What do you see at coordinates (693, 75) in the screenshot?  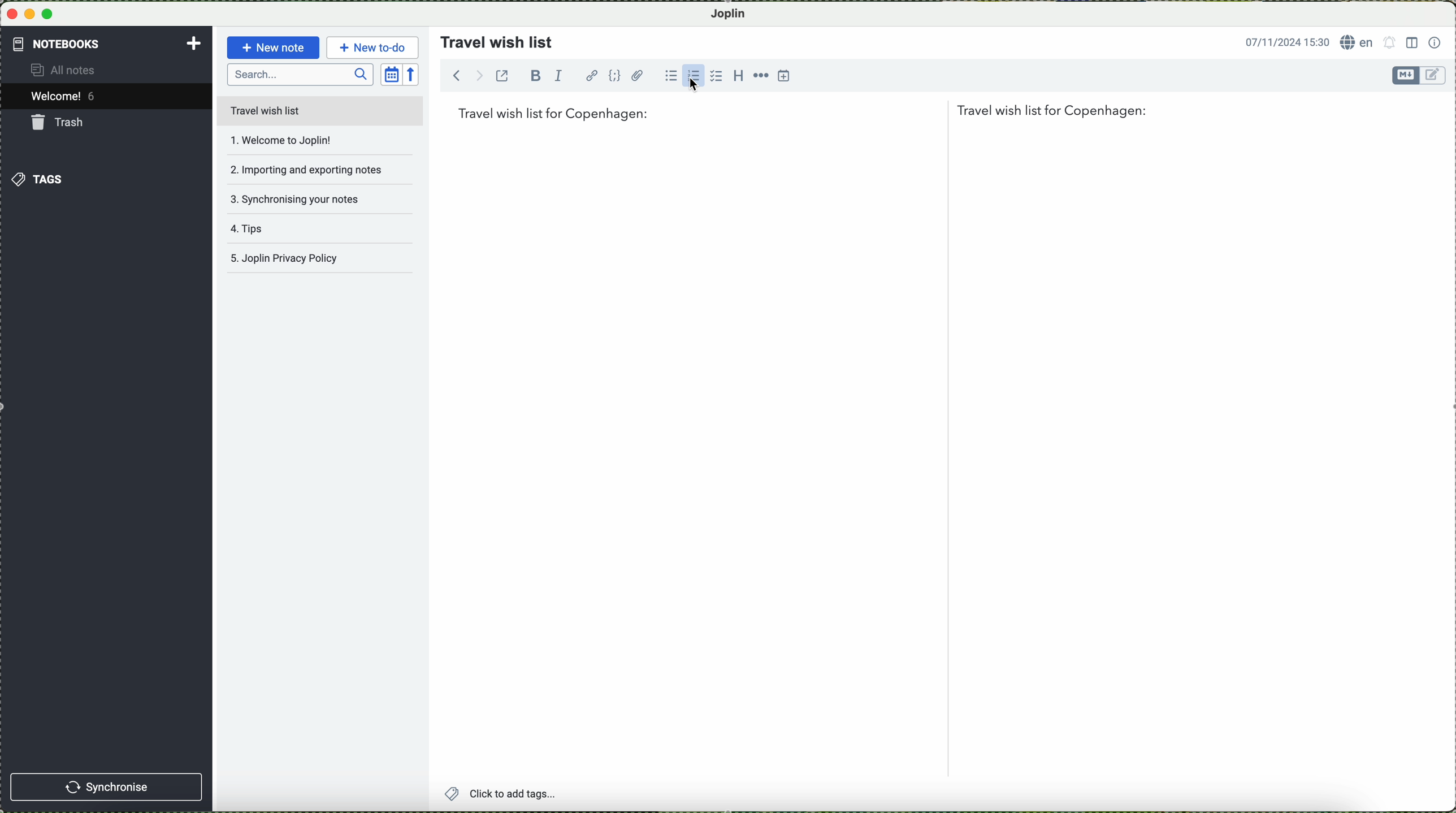 I see `numbered list` at bounding box center [693, 75].